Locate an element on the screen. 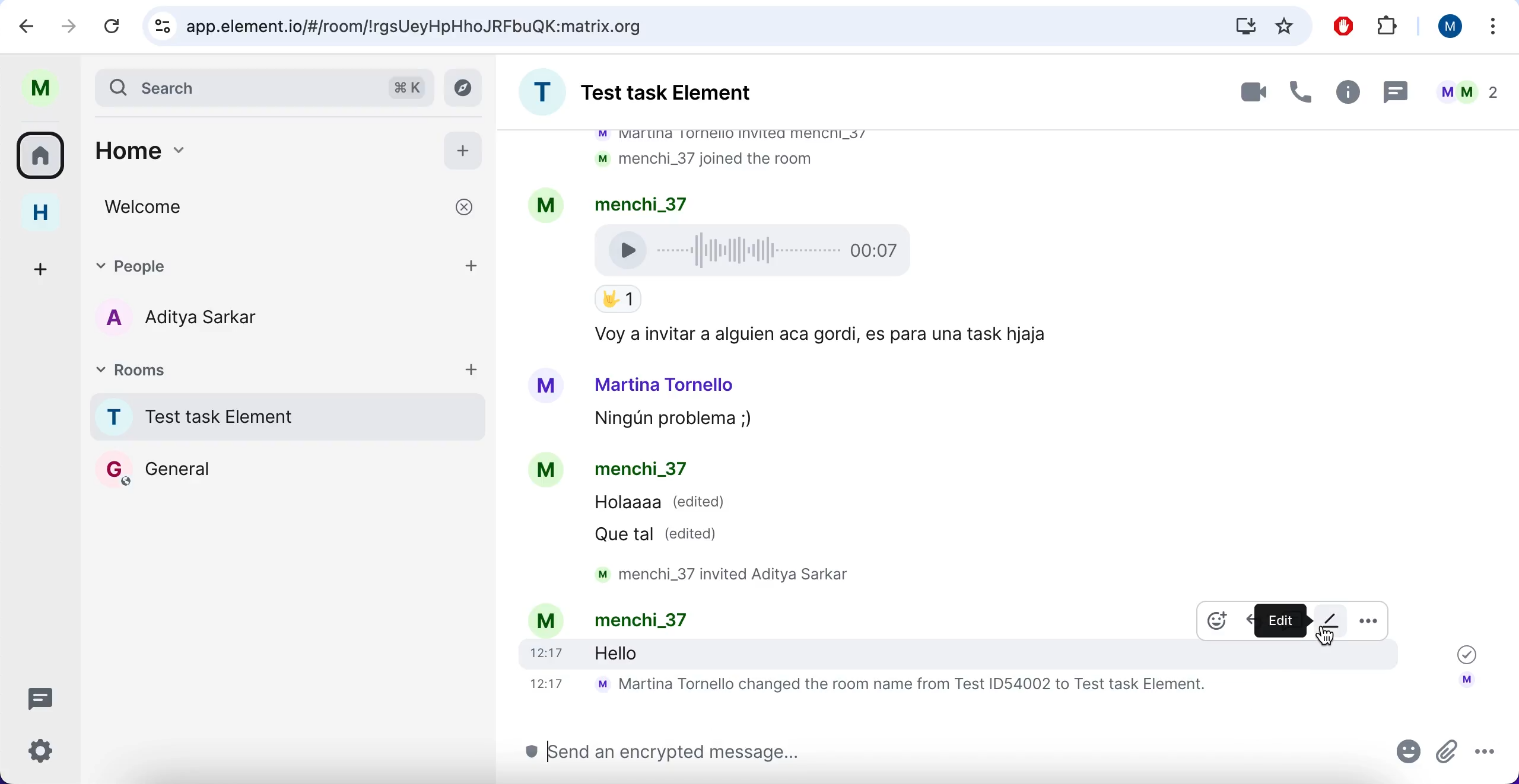  emoji is located at coordinates (1409, 756).